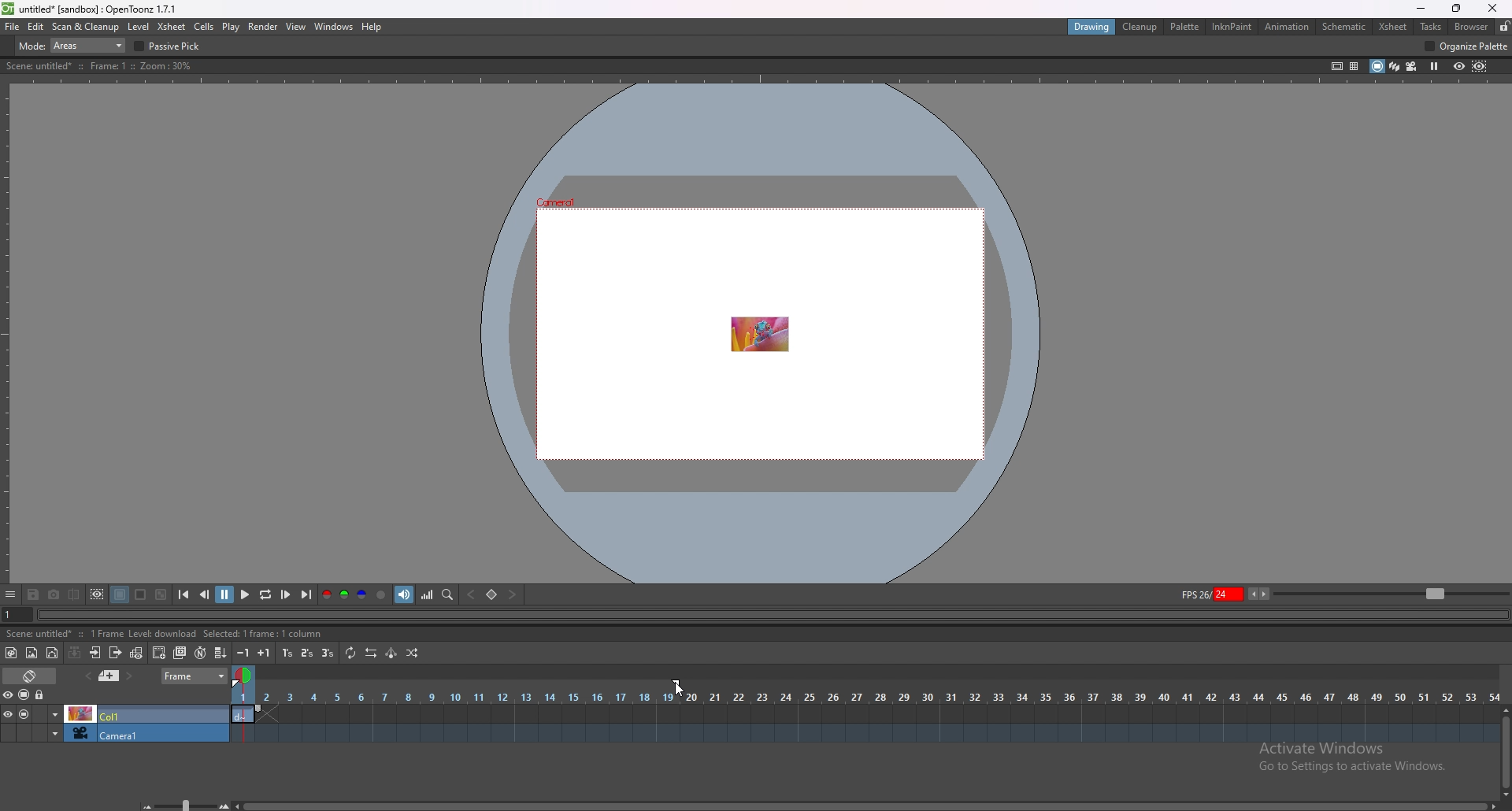  What do you see at coordinates (1393, 28) in the screenshot?
I see `xsheet` at bounding box center [1393, 28].